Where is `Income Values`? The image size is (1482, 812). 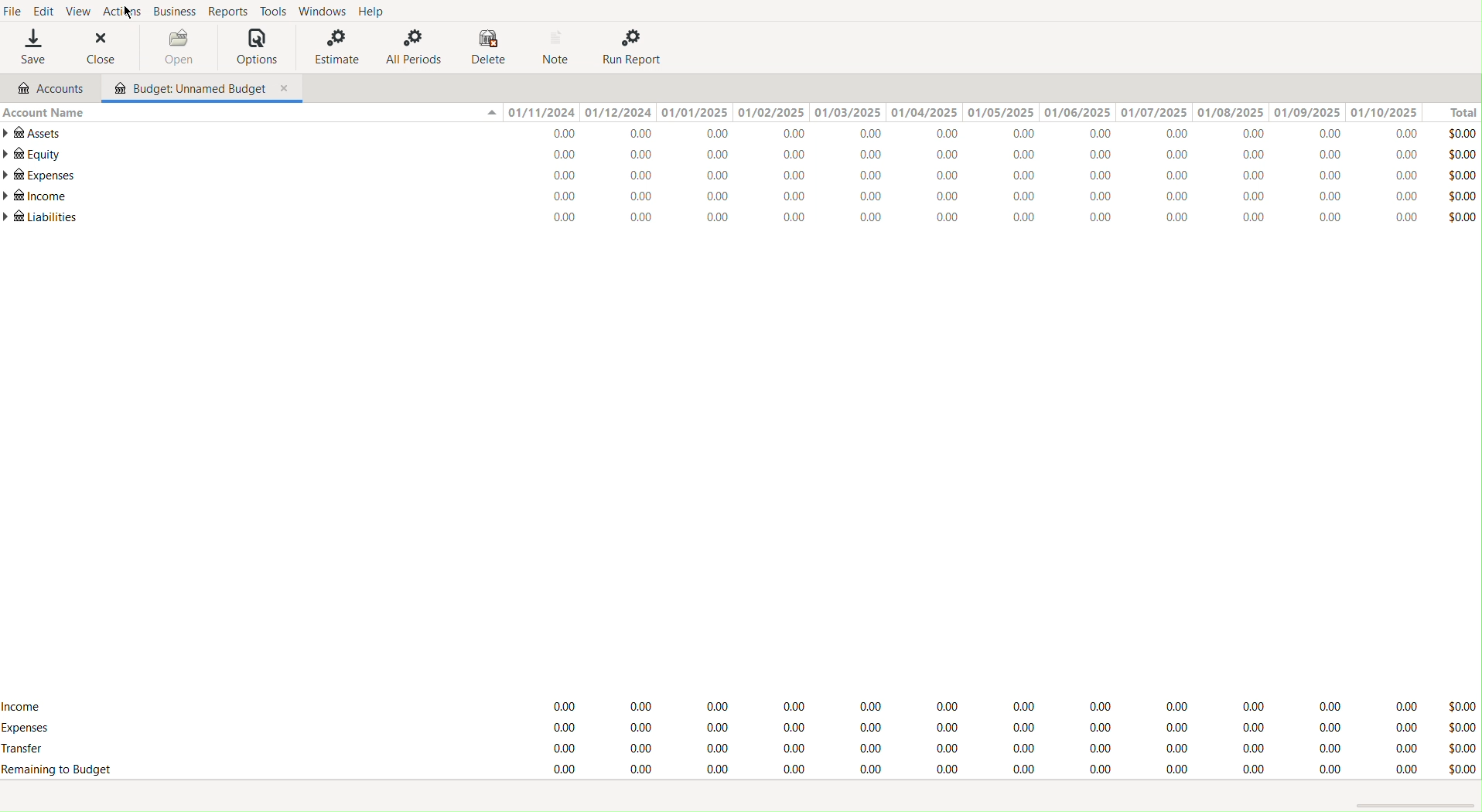 Income Values is located at coordinates (986, 704).